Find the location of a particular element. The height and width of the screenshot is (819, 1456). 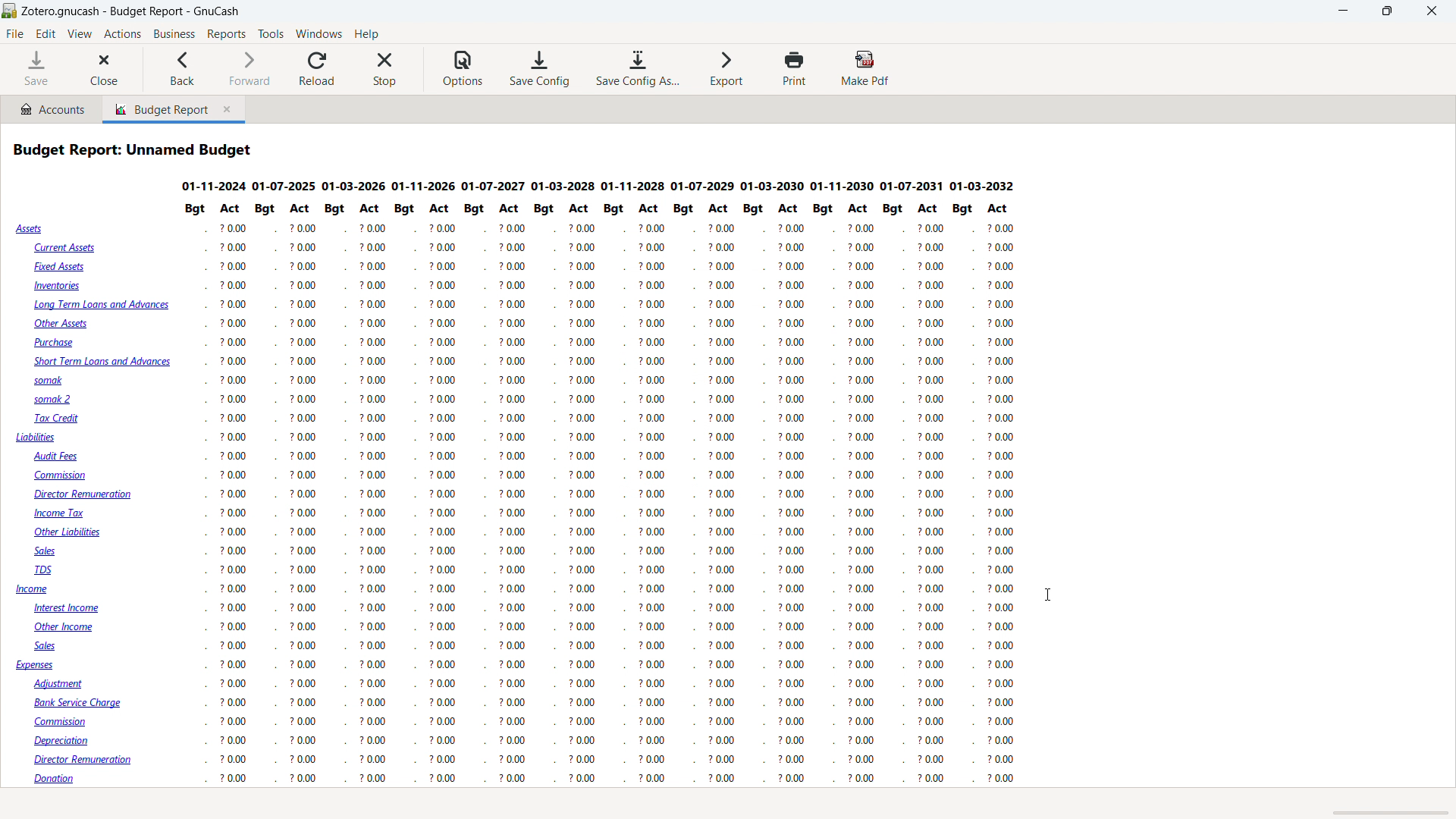

Director Remuneration is located at coordinates (84, 495).